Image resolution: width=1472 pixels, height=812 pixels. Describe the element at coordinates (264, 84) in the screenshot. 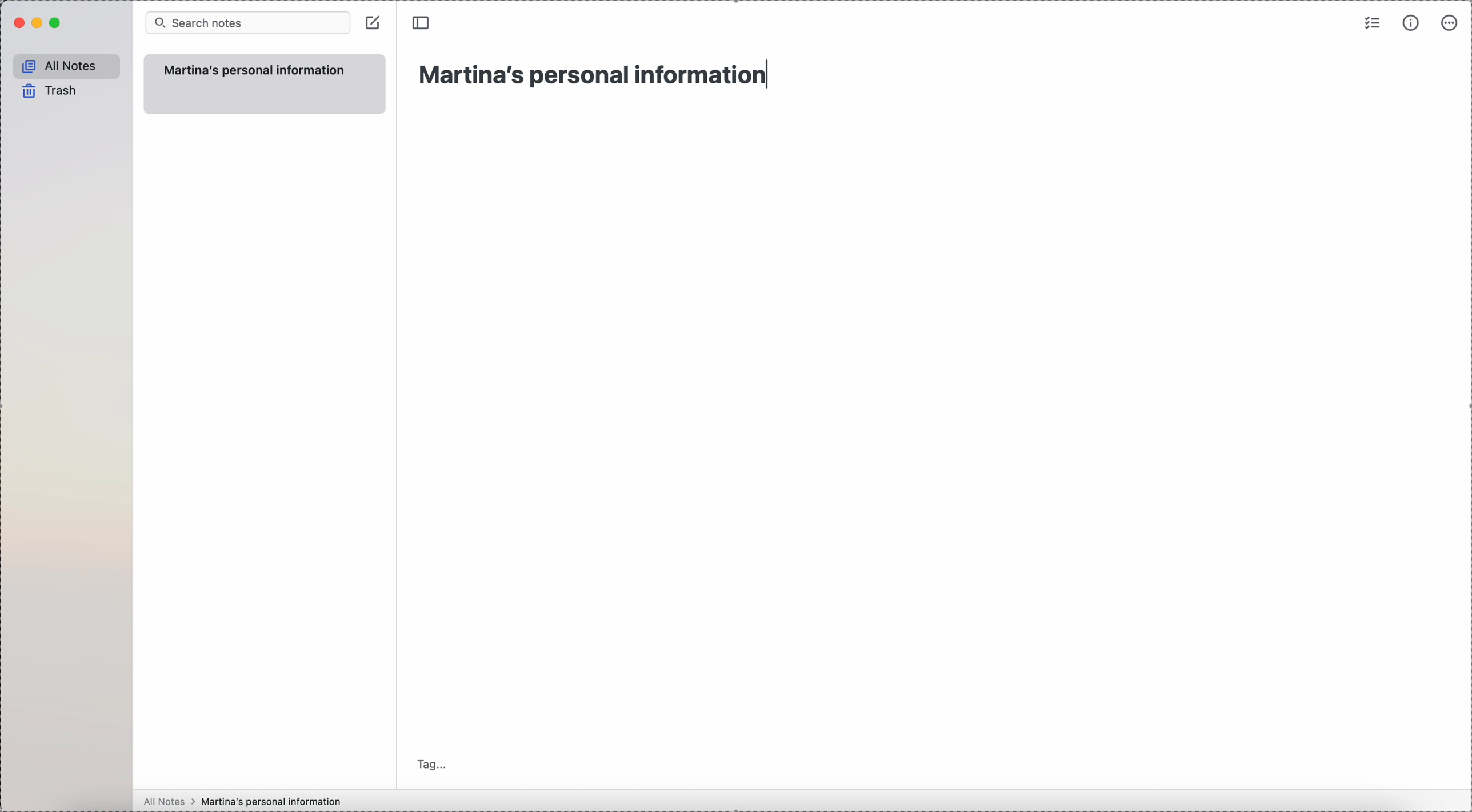

I see `new note` at that location.